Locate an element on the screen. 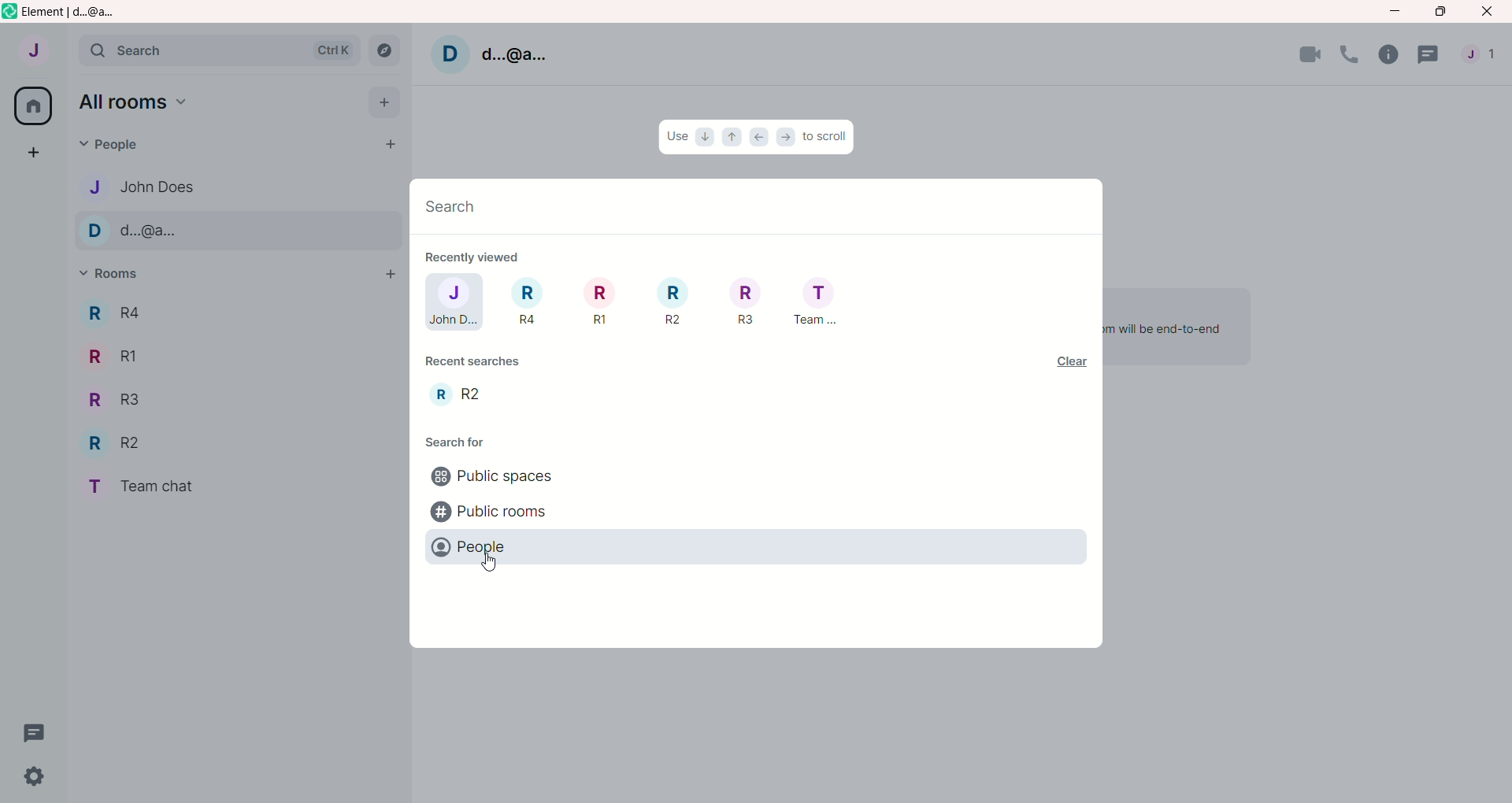 The image size is (1512, 803). d..@a.. is located at coordinates (513, 52).